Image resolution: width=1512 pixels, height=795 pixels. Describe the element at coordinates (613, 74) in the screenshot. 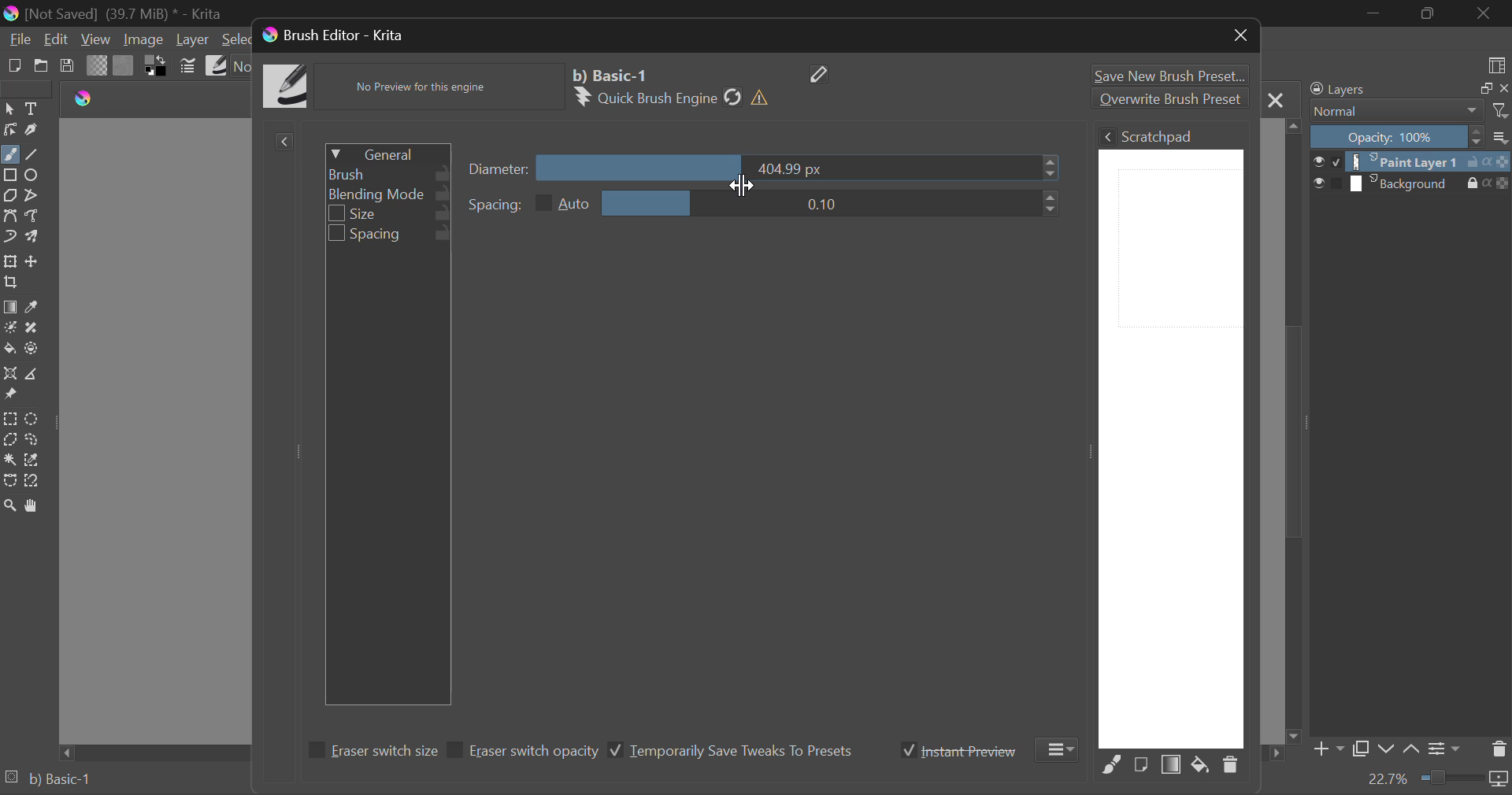

I see `Selected Brush` at that location.